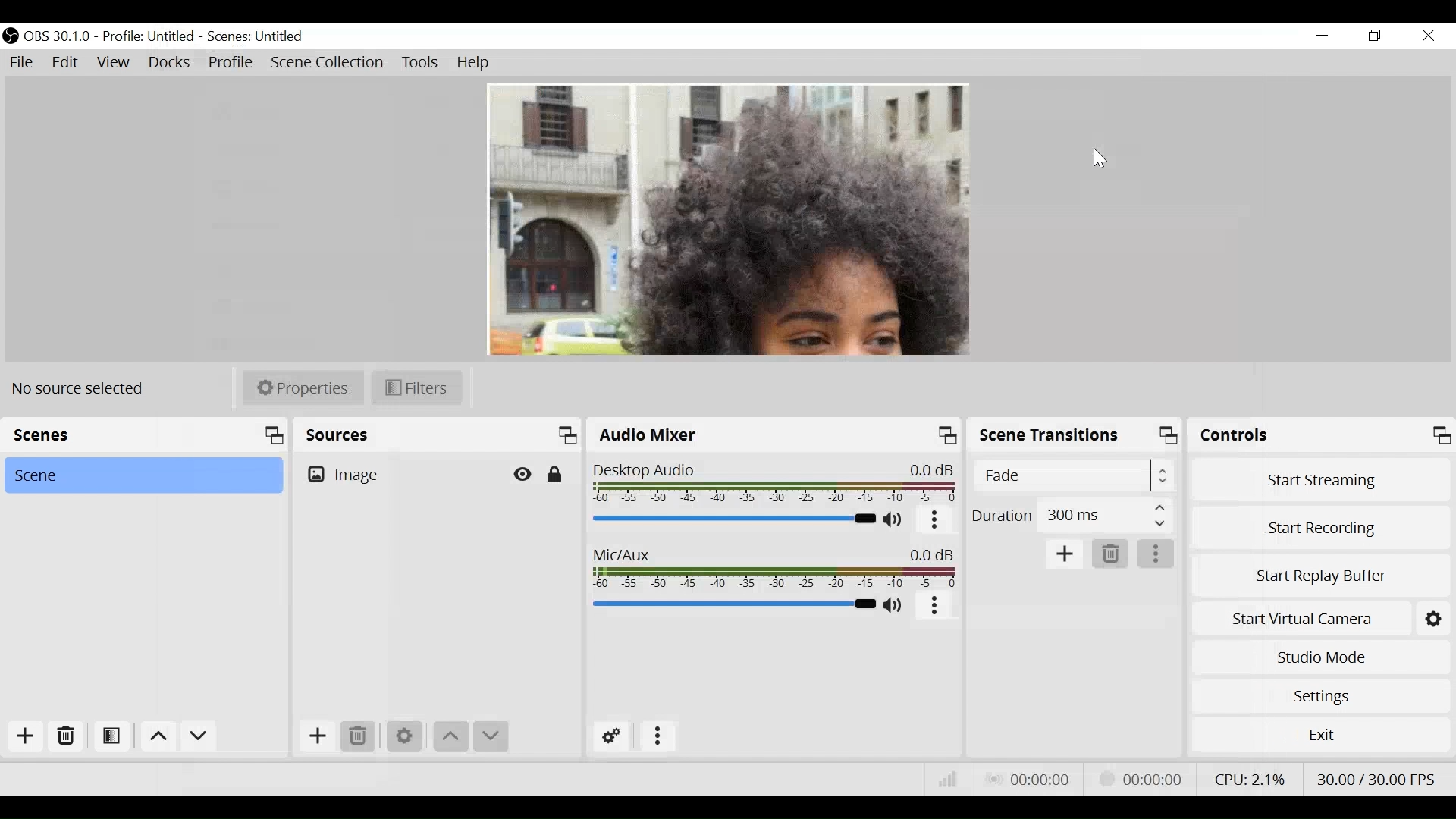 The height and width of the screenshot is (819, 1456). I want to click on More options, so click(657, 737).